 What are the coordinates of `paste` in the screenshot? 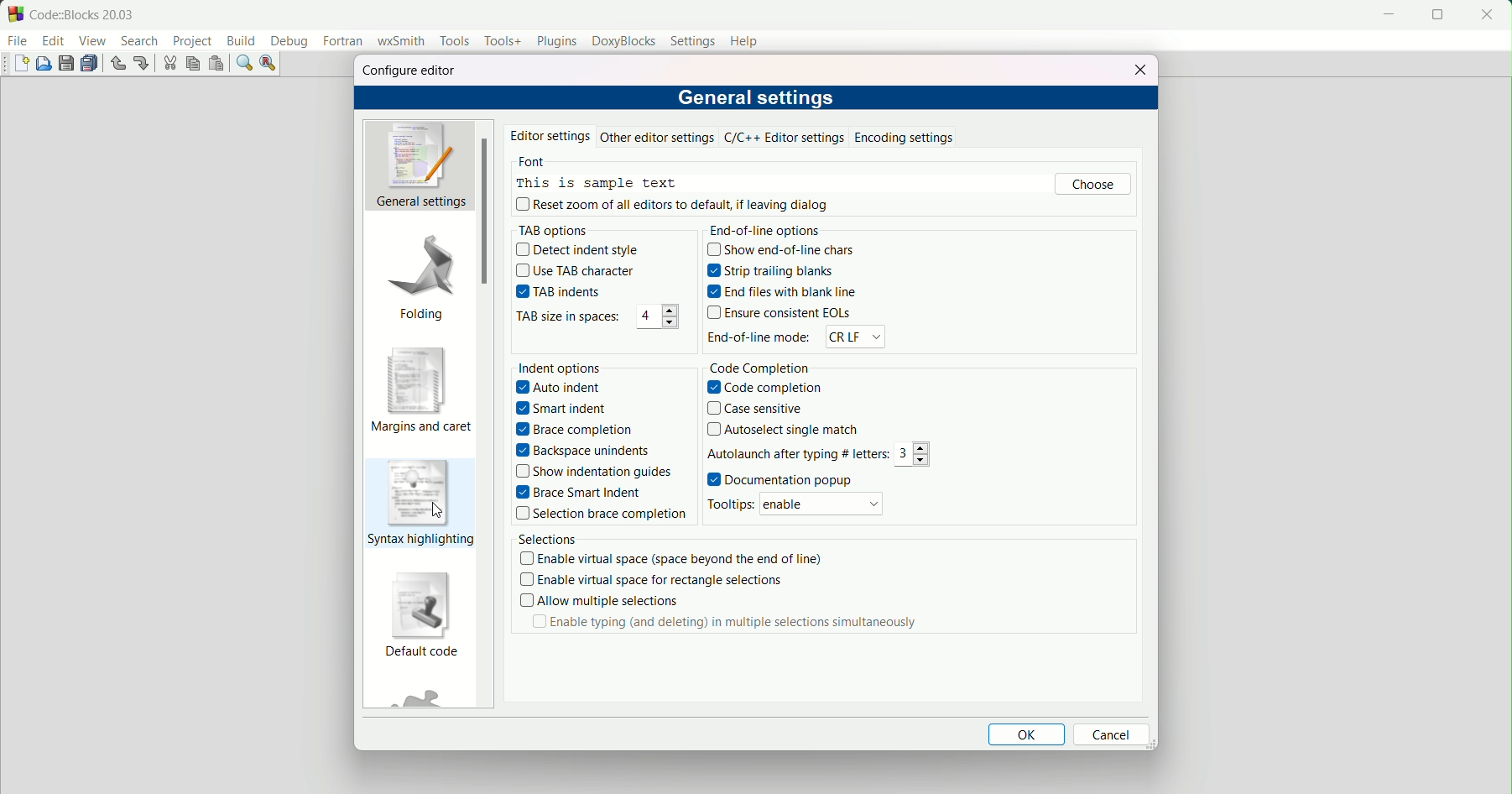 It's located at (215, 64).